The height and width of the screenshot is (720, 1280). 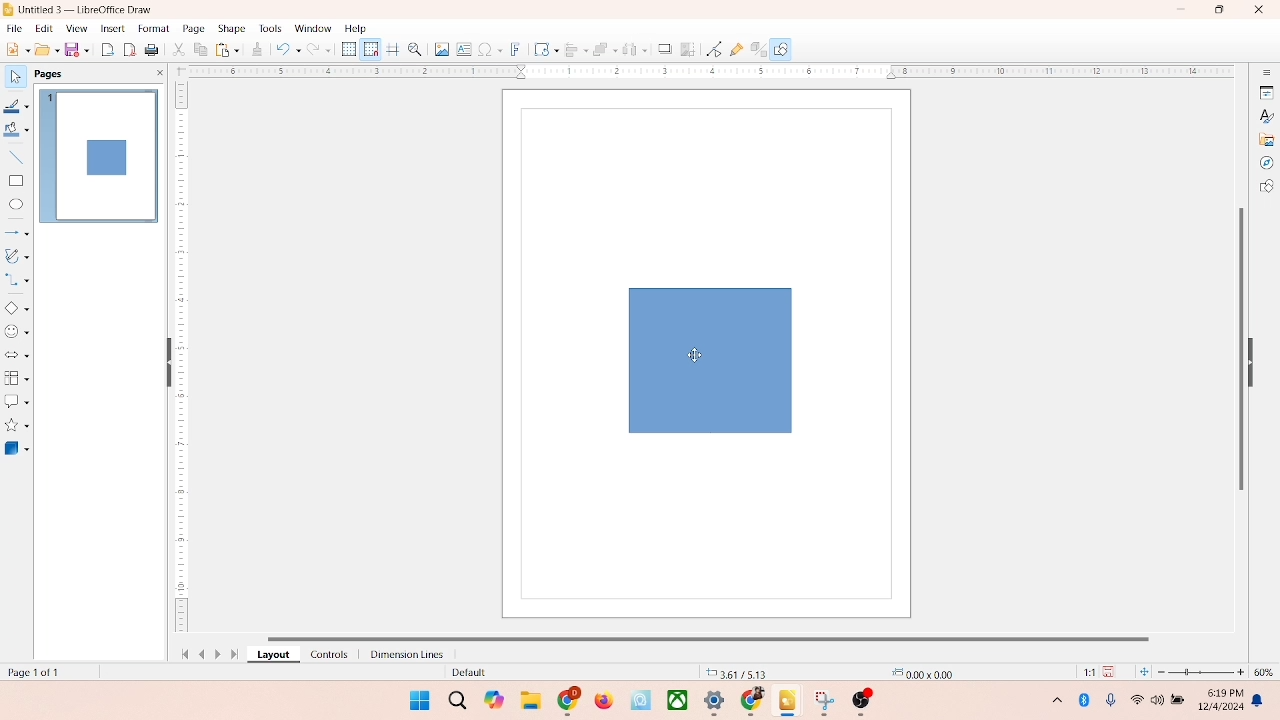 I want to click on Bluetooth, so click(x=1088, y=700).